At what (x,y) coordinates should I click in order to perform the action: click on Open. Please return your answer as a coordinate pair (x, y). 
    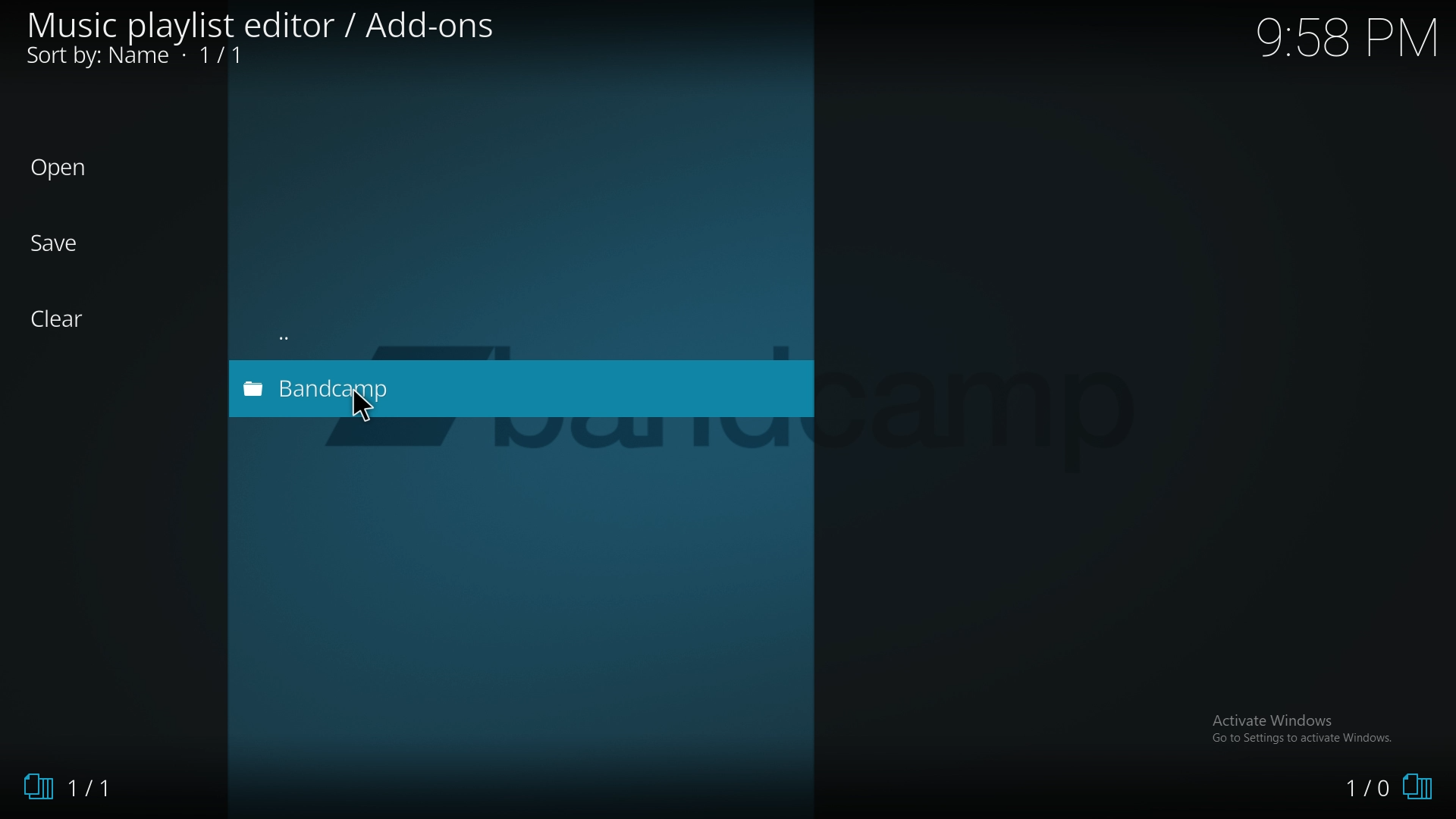
    Looking at the image, I should click on (71, 168).